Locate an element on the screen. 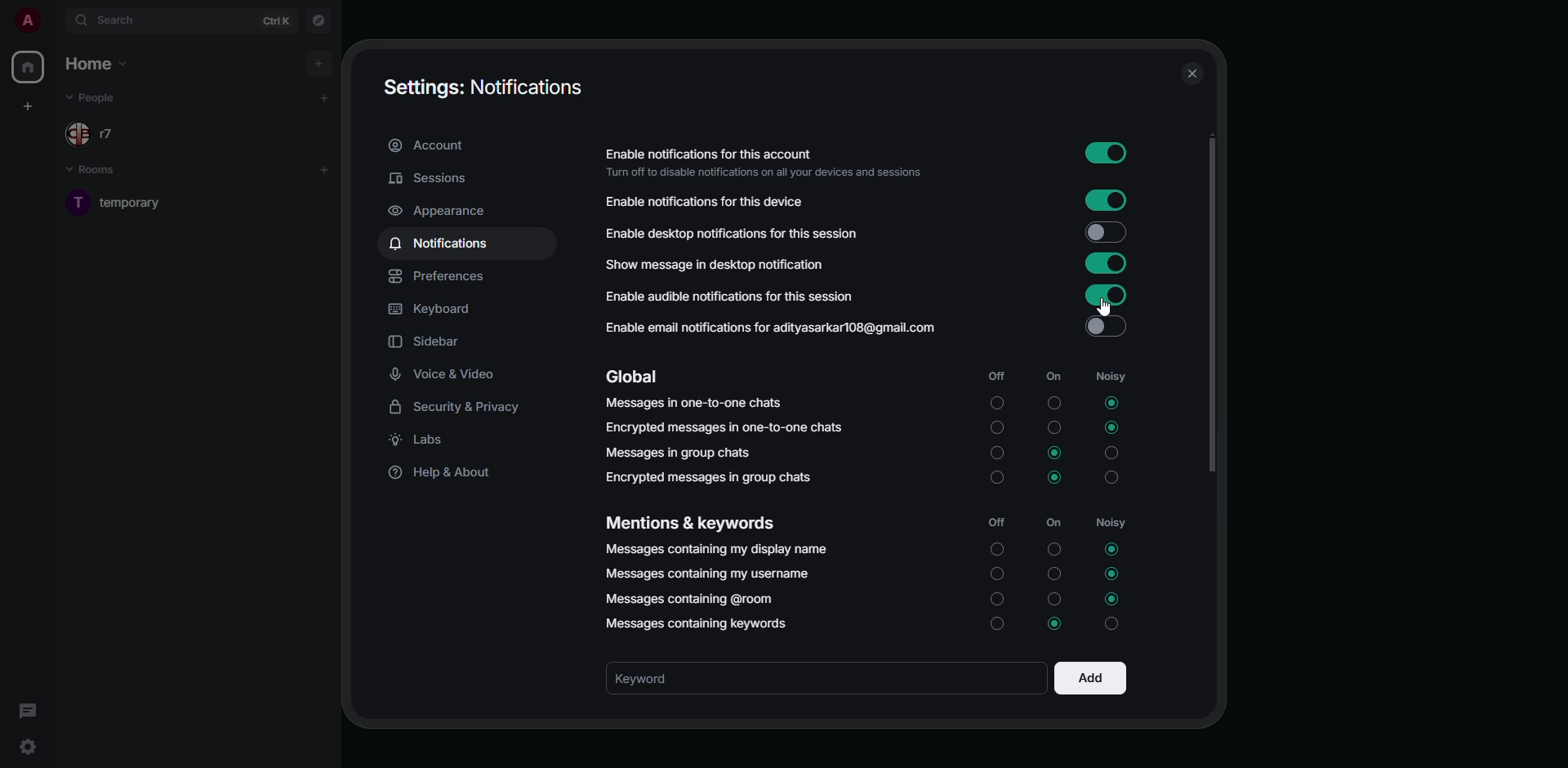 The width and height of the screenshot is (1568, 768). navigator is located at coordinates (319, 22).